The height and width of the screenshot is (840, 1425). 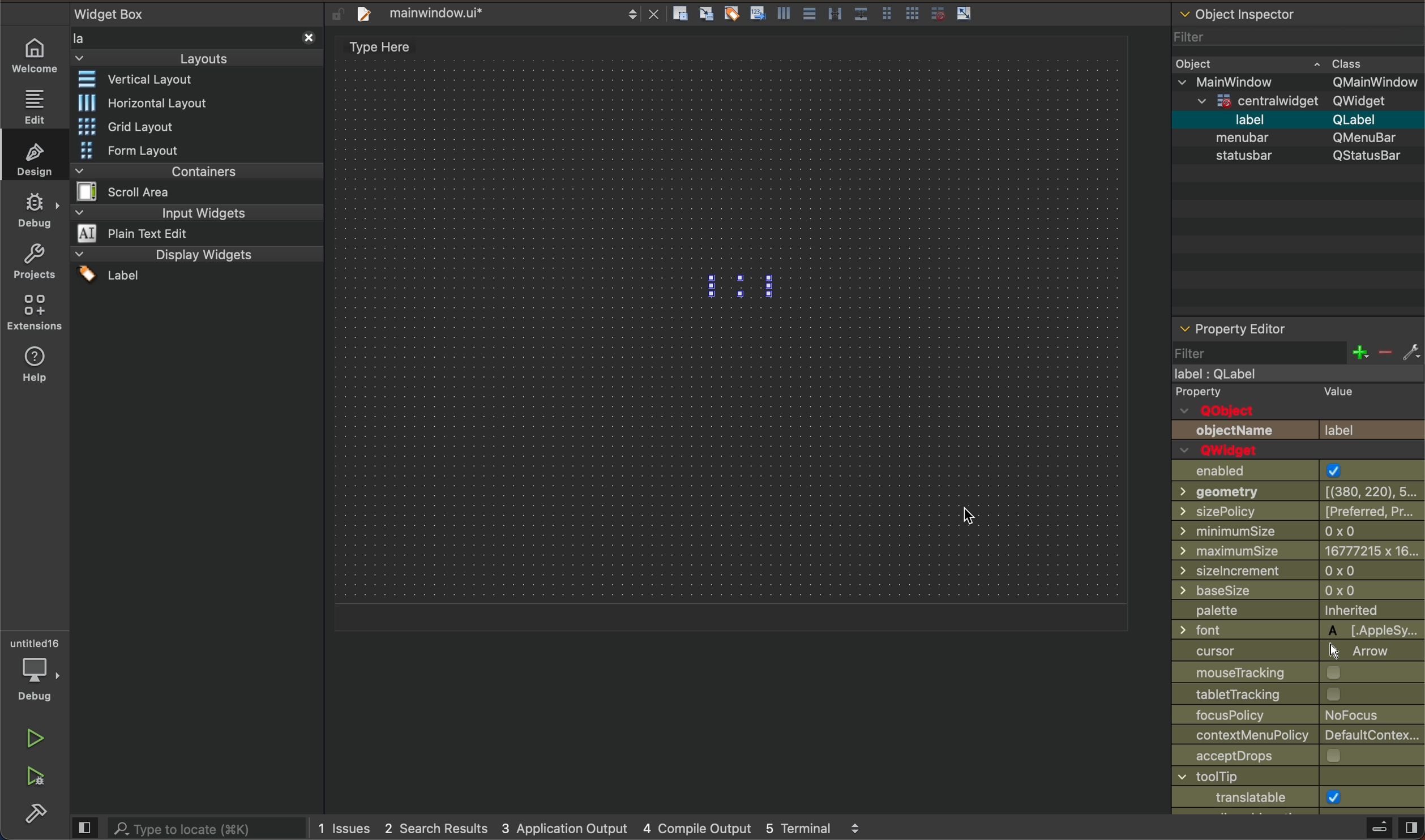 What do you see at coordinates (1299, 652) in the screenshot?
I see `cursor` at bounding box center [1299, 652].